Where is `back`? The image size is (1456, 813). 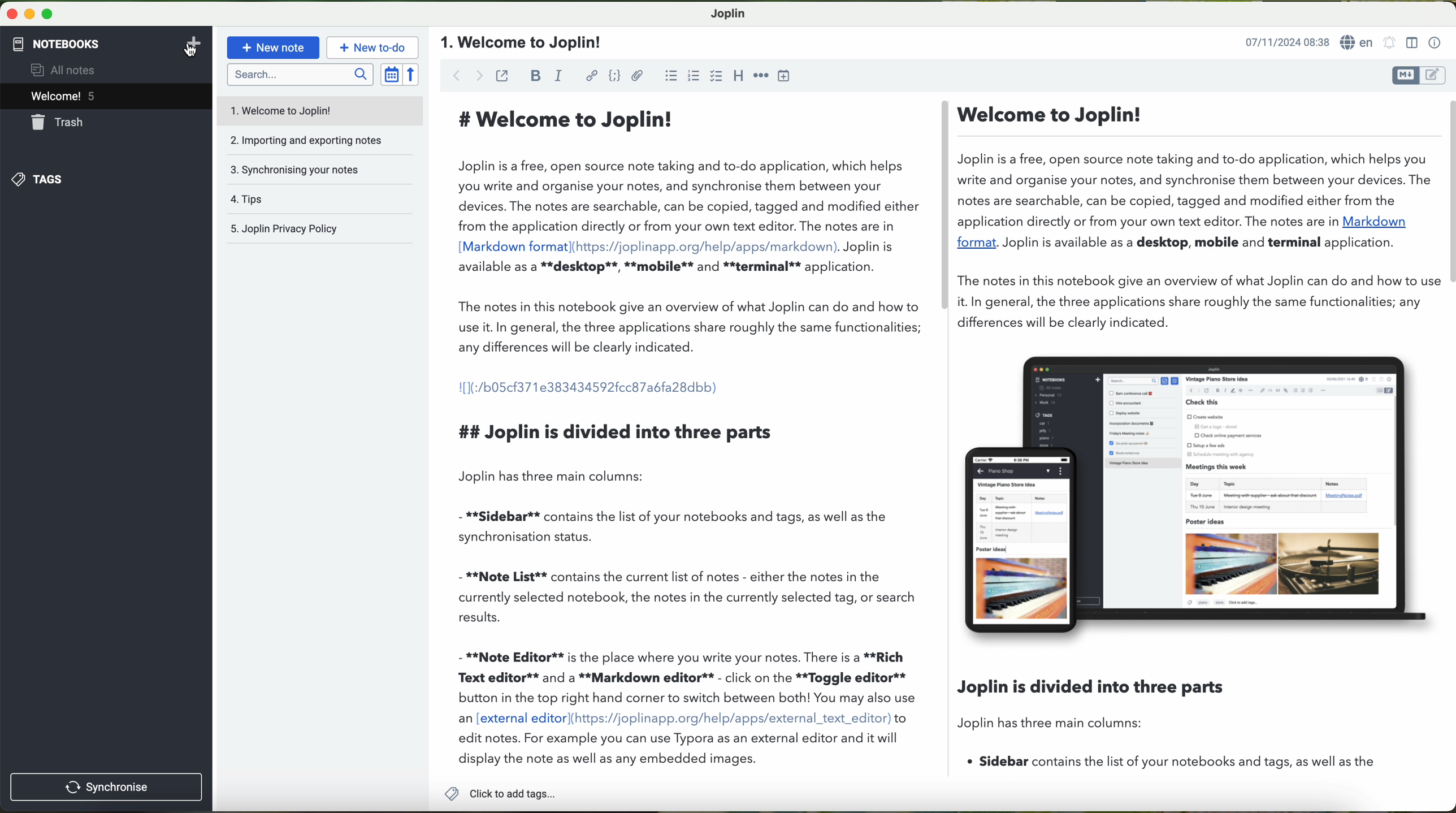 back is located at coordinates (456, 76).